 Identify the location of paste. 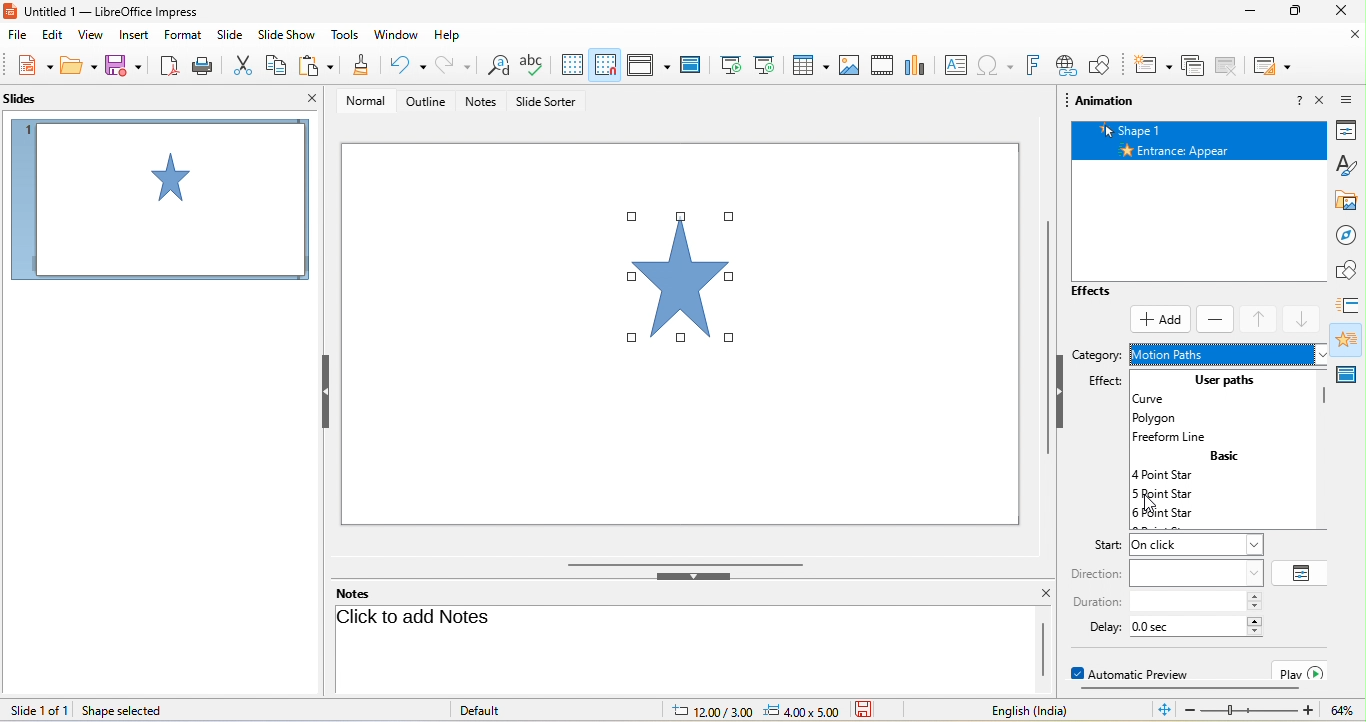
(317, 65).